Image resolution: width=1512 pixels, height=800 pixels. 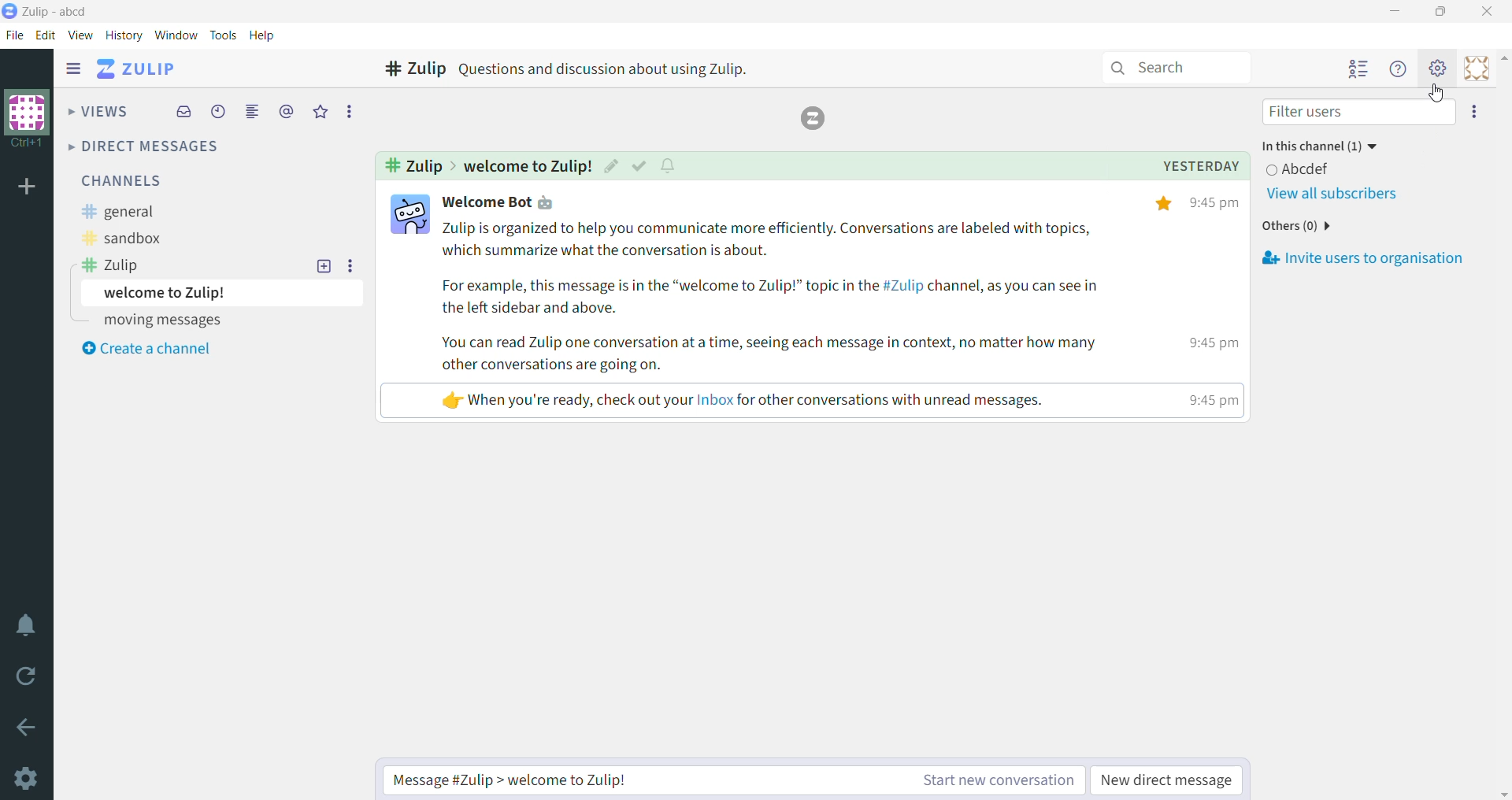 I want to click on Enable Do Not Disturb, so click(x=27, y=626).